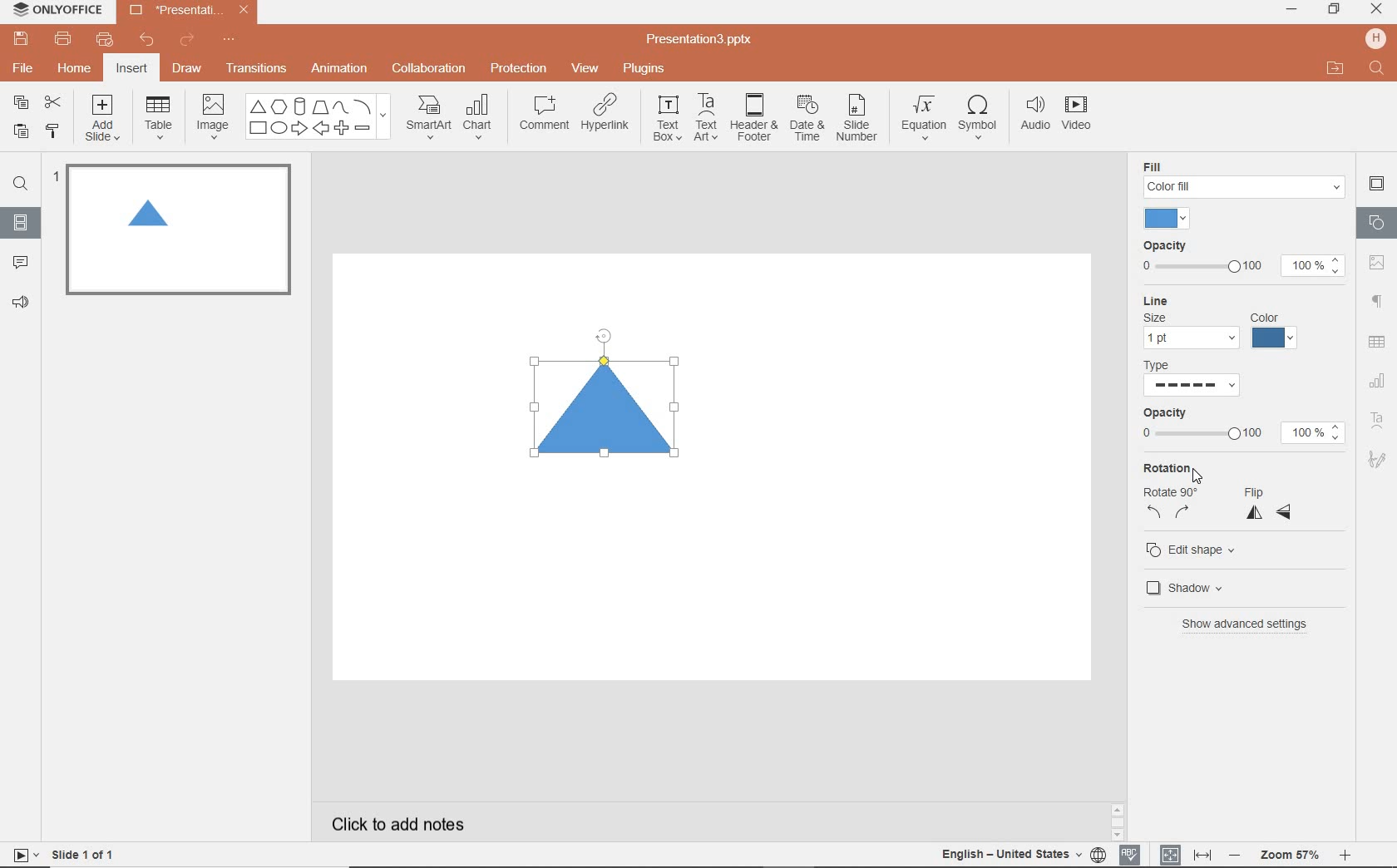  I want to click on edit shape, so click(1196, 552).